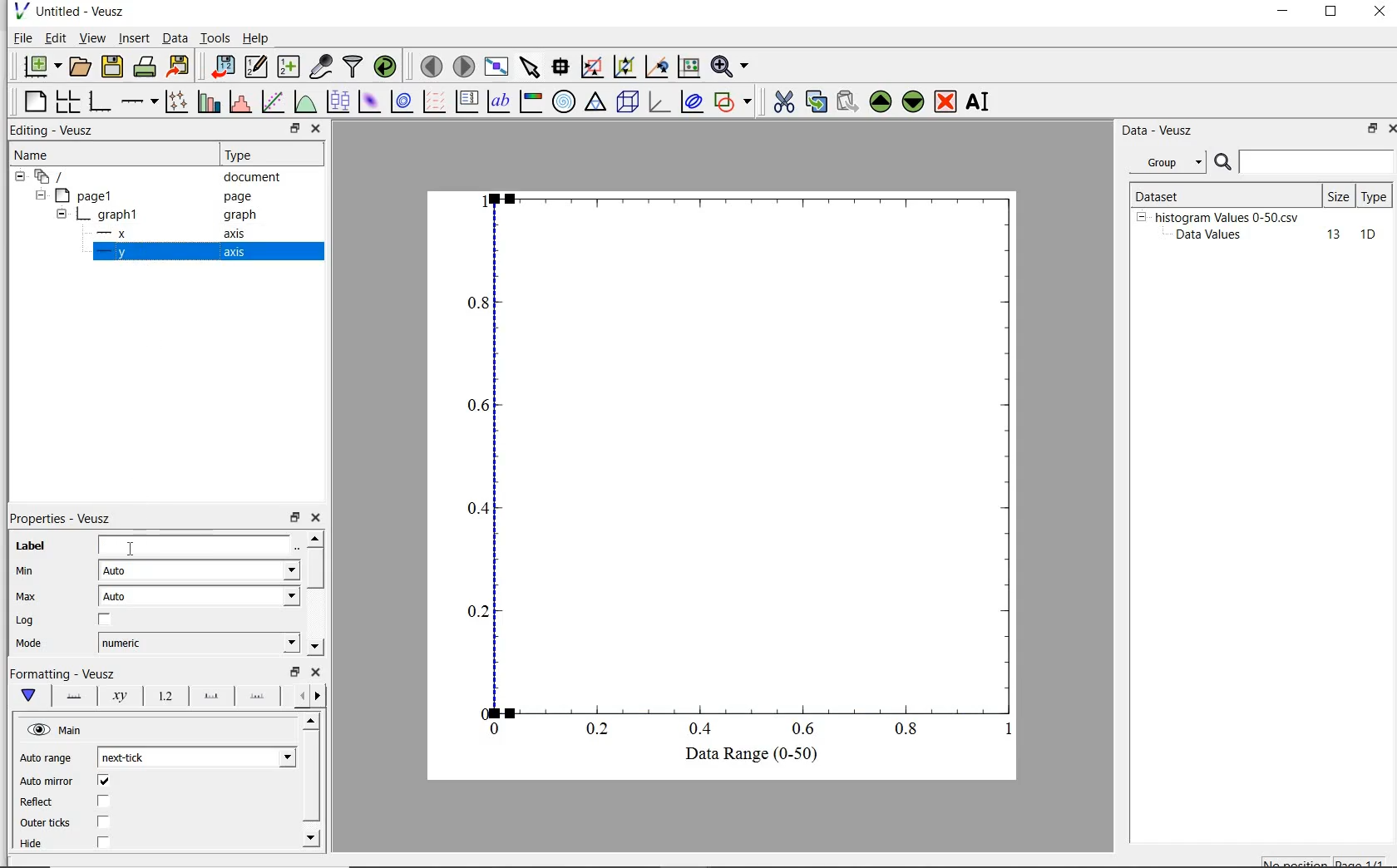 The height and width of the screenshot is (868, 1397). I want to click on tools , so click(216, 37).